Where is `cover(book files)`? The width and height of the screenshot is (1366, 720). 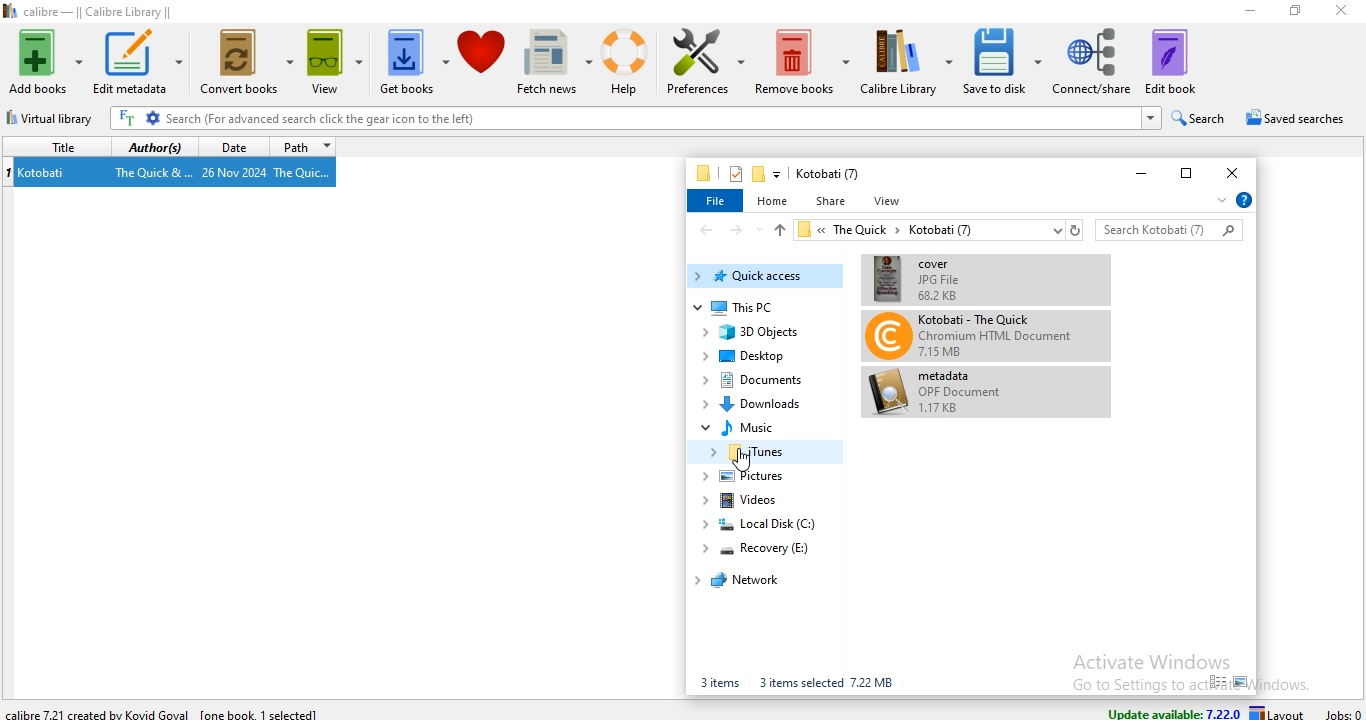 cover(book files) is located at coordinates (972, 277).